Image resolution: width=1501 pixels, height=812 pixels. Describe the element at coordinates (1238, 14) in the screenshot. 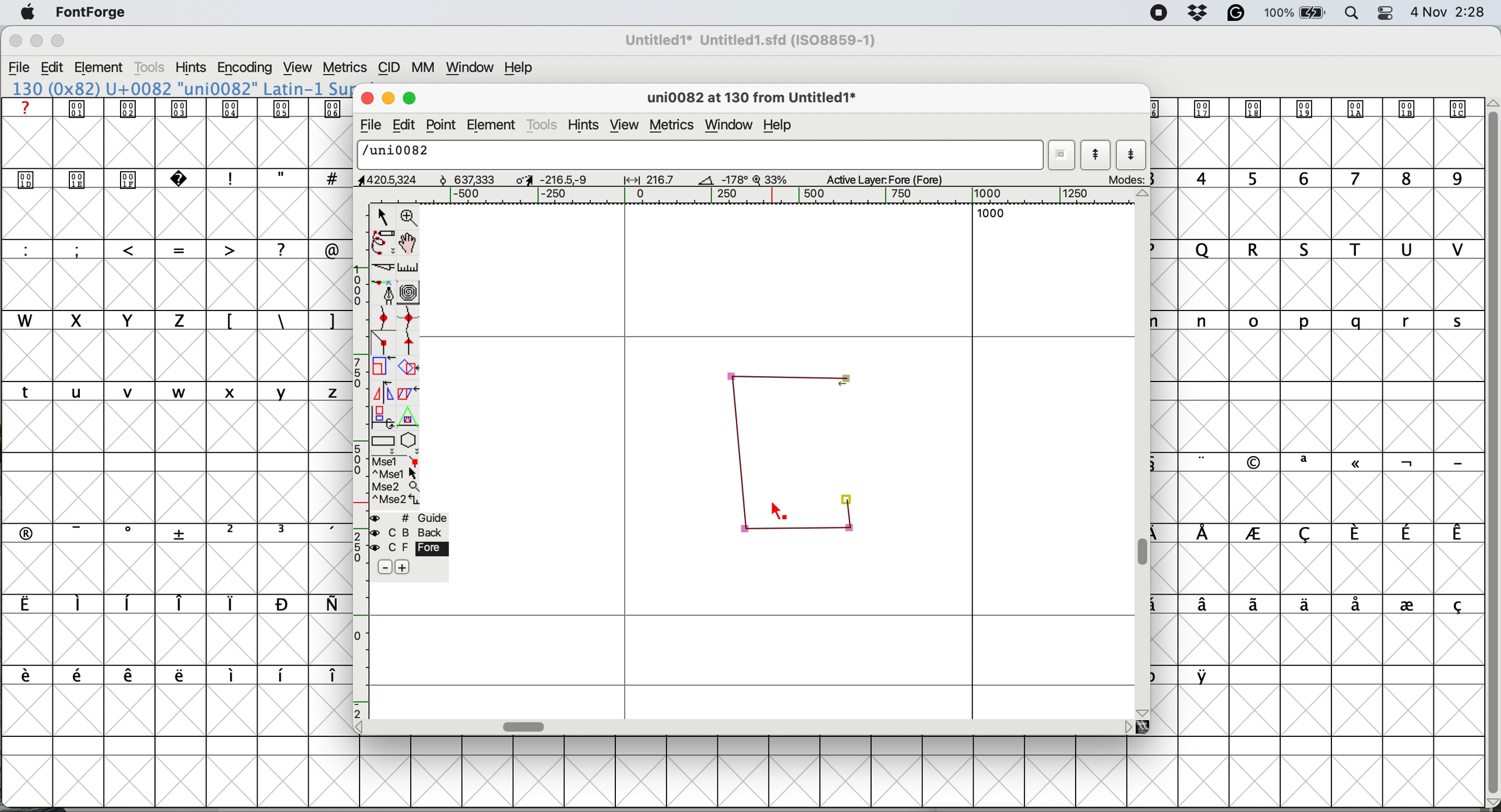

I see `grammarly` at that location.